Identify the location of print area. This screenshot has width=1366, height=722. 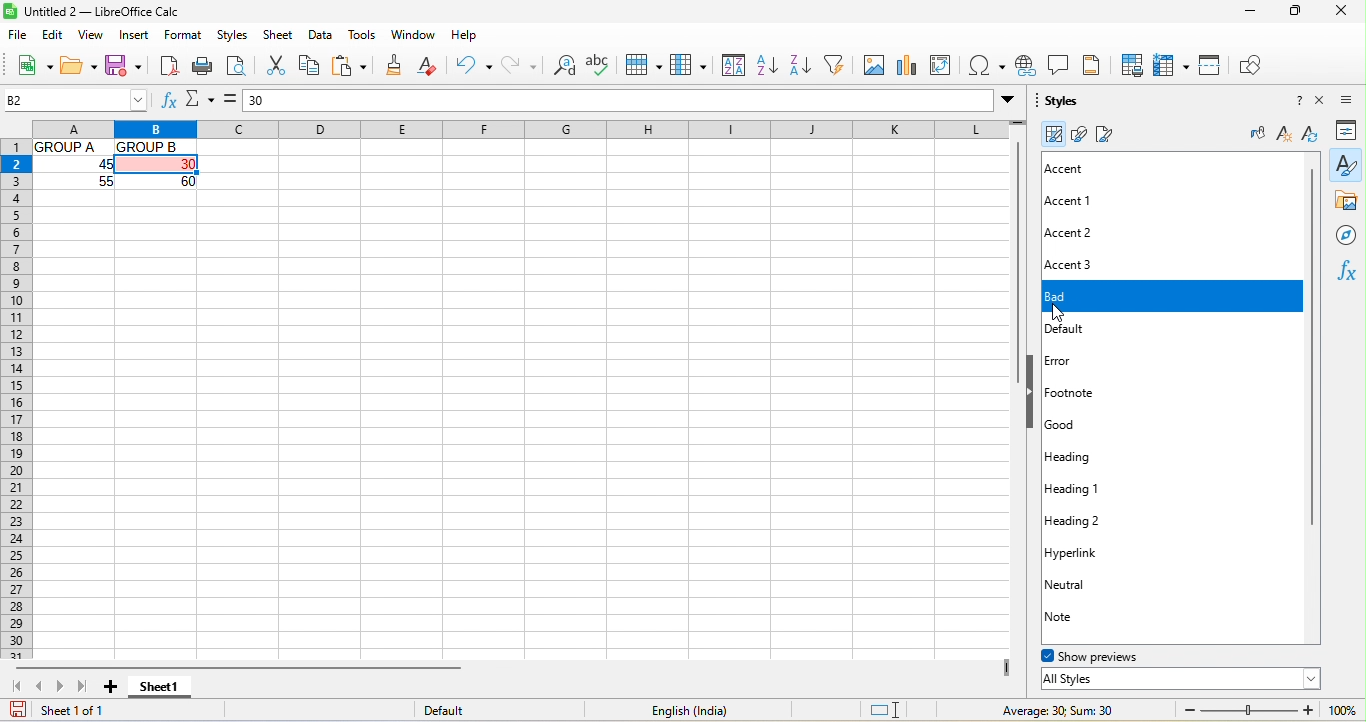
(1135, 64).